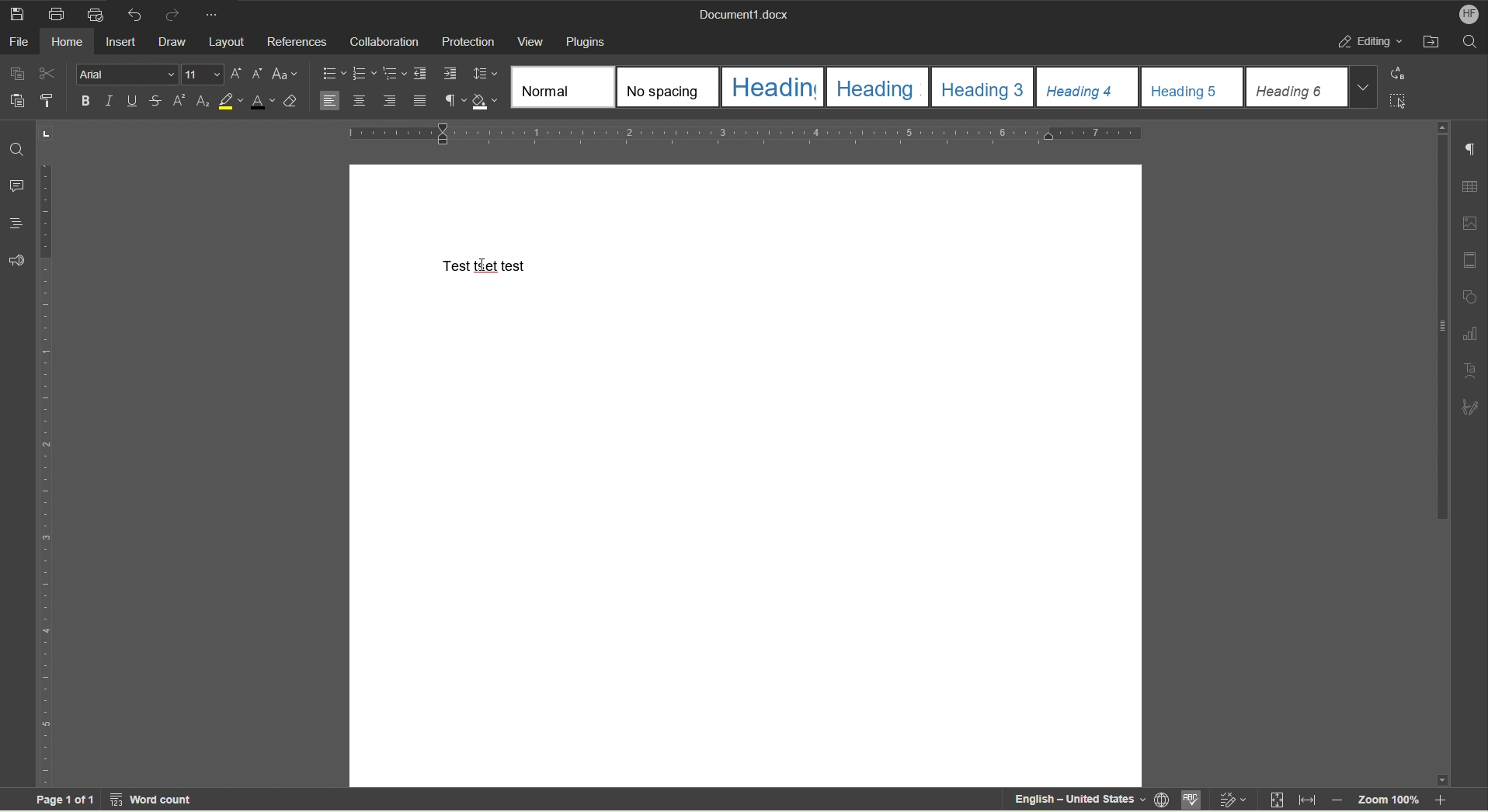 Image resolution: width=1488 pixels, height=812 pixels. Describe the element at coordinates (1089, 88) in the screenshot. I see `Heading 4` at that location.